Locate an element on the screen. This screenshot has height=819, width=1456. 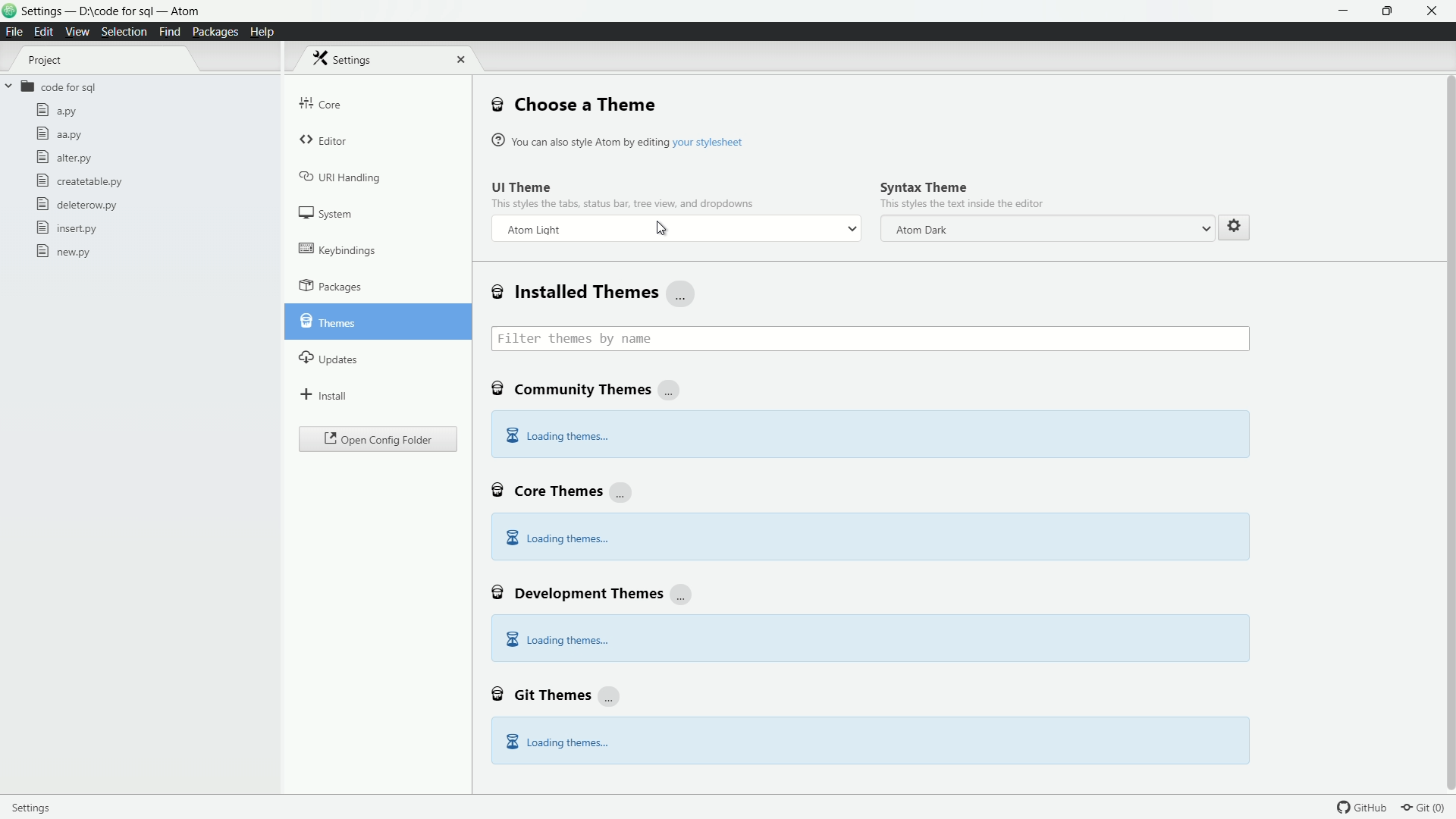
minimize is located at coordinates (1345, 11).